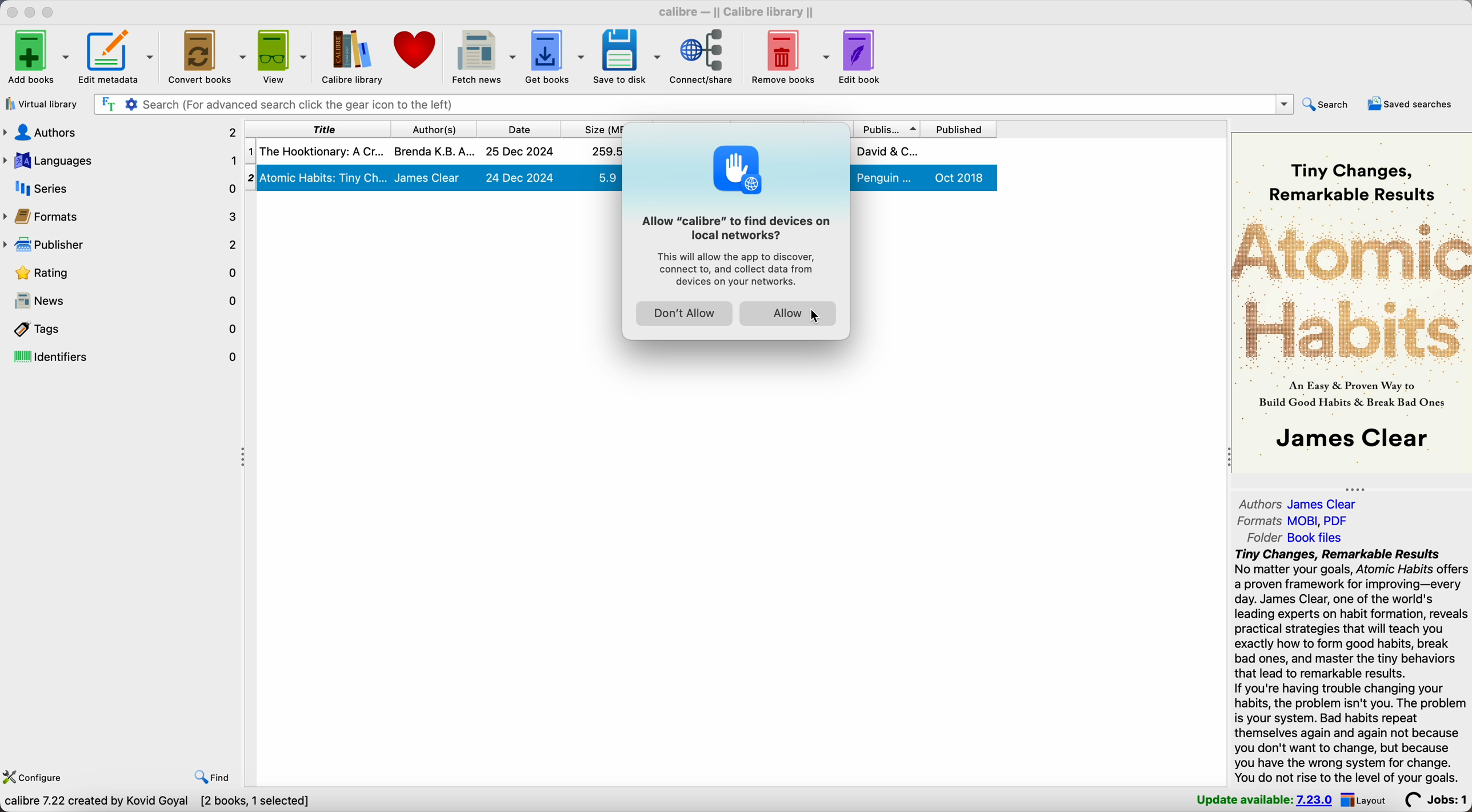 The height and width of the screenshot is (812, 1472). I want to click on authors, so click(121, 135).